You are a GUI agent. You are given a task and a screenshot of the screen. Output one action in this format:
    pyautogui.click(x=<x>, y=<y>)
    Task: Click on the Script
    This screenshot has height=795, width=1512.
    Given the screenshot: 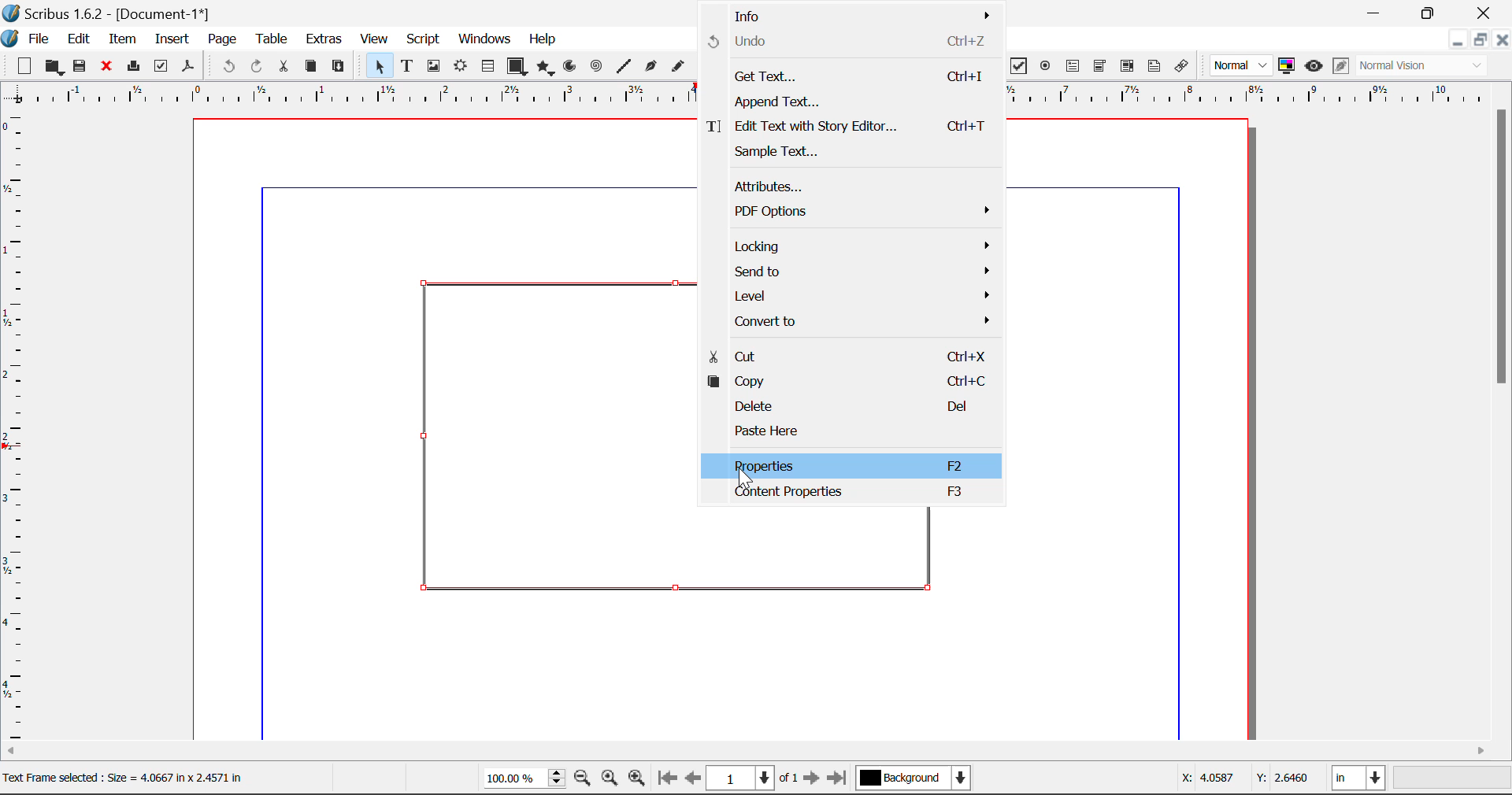 What is the action you would take?
    pyautogui.click(x=424, y=41)
    